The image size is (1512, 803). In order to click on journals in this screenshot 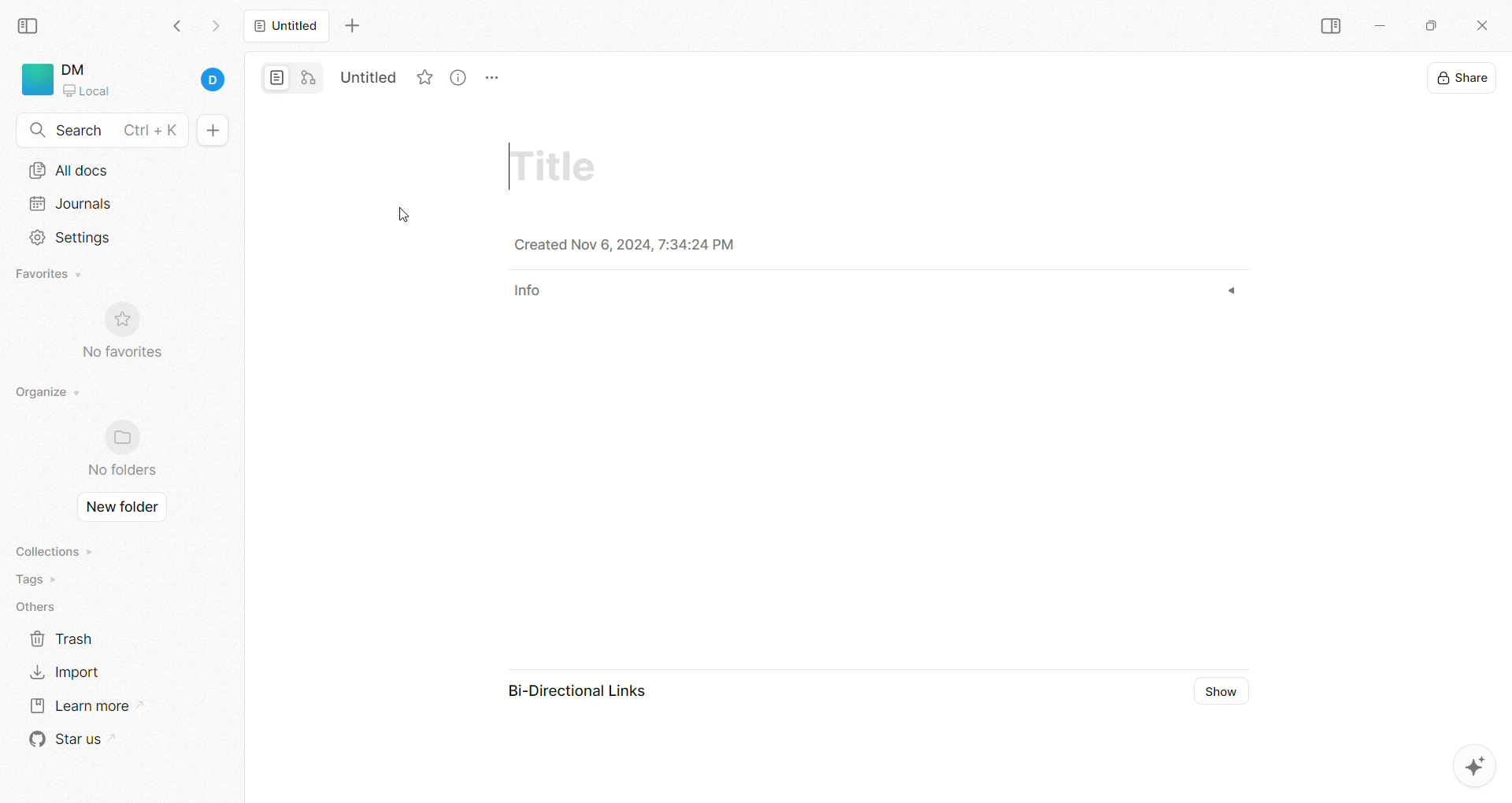, I will do `click(74, 203)`.